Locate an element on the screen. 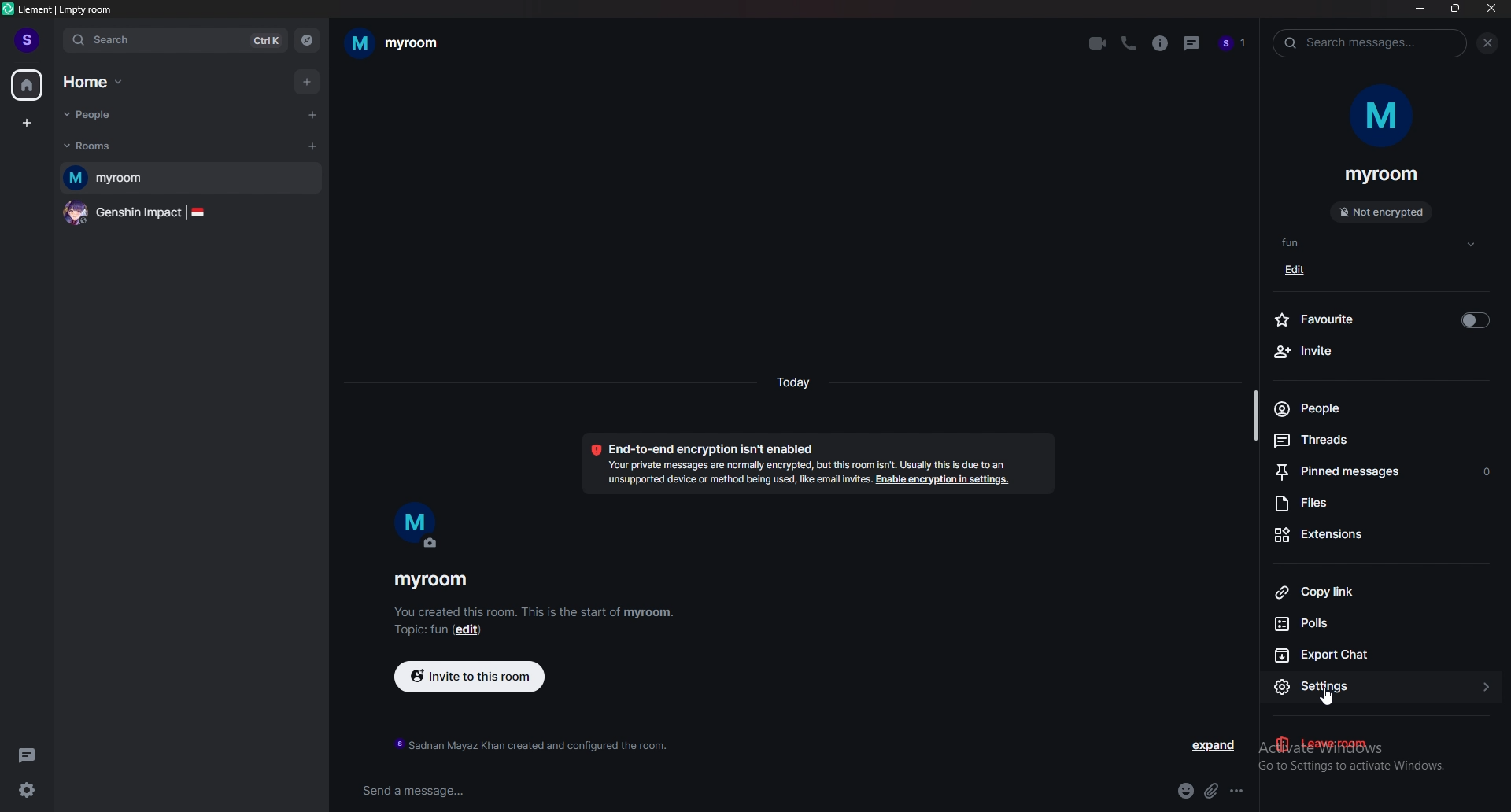 Image resolution: width=1511 pixels, height=812 pixels. go to settings to activate windows is located at coordinates (1384, 769).